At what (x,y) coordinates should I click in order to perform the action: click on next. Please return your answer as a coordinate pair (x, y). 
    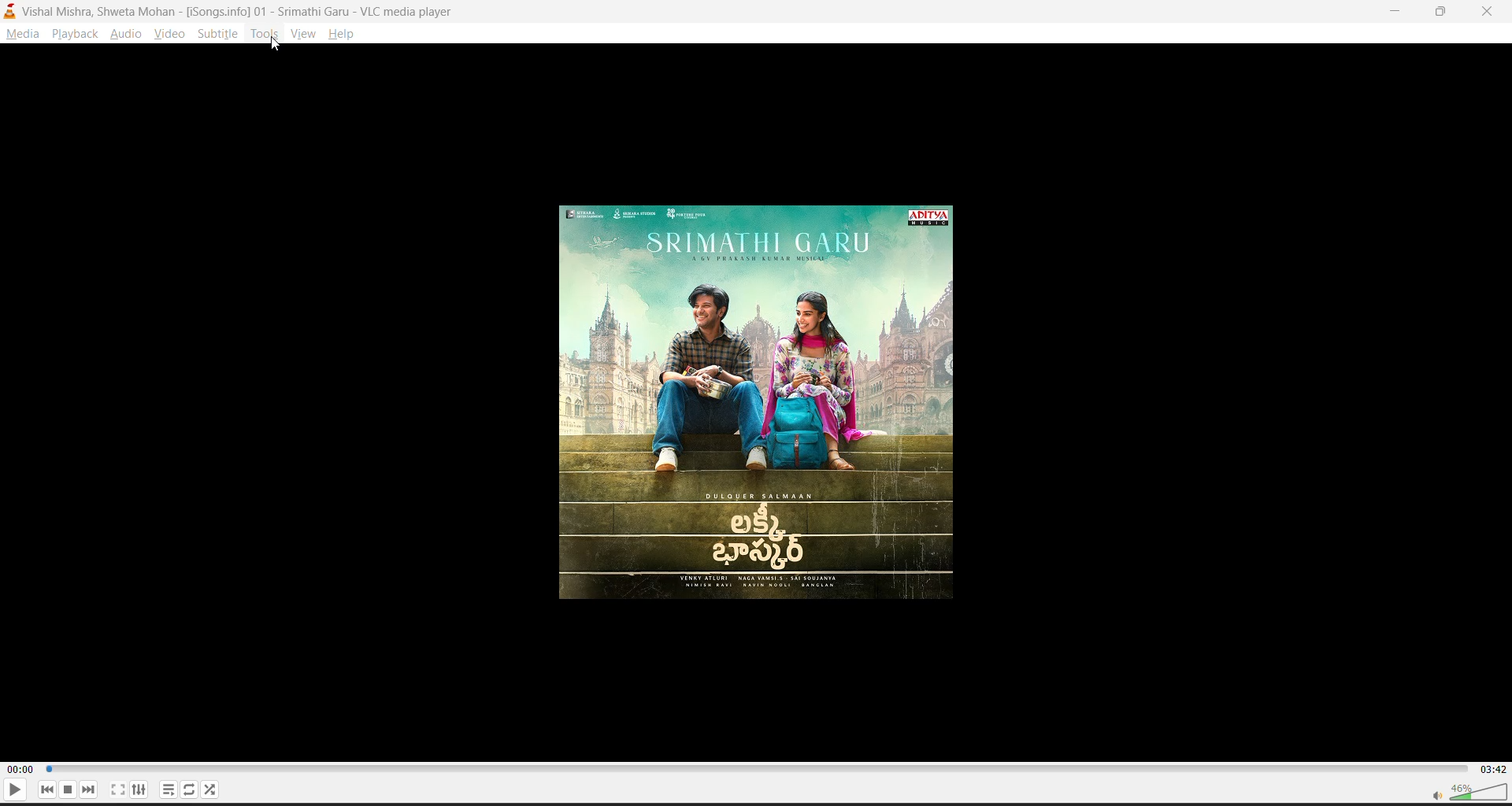
    Looking at the image, I should click on (86, 790).